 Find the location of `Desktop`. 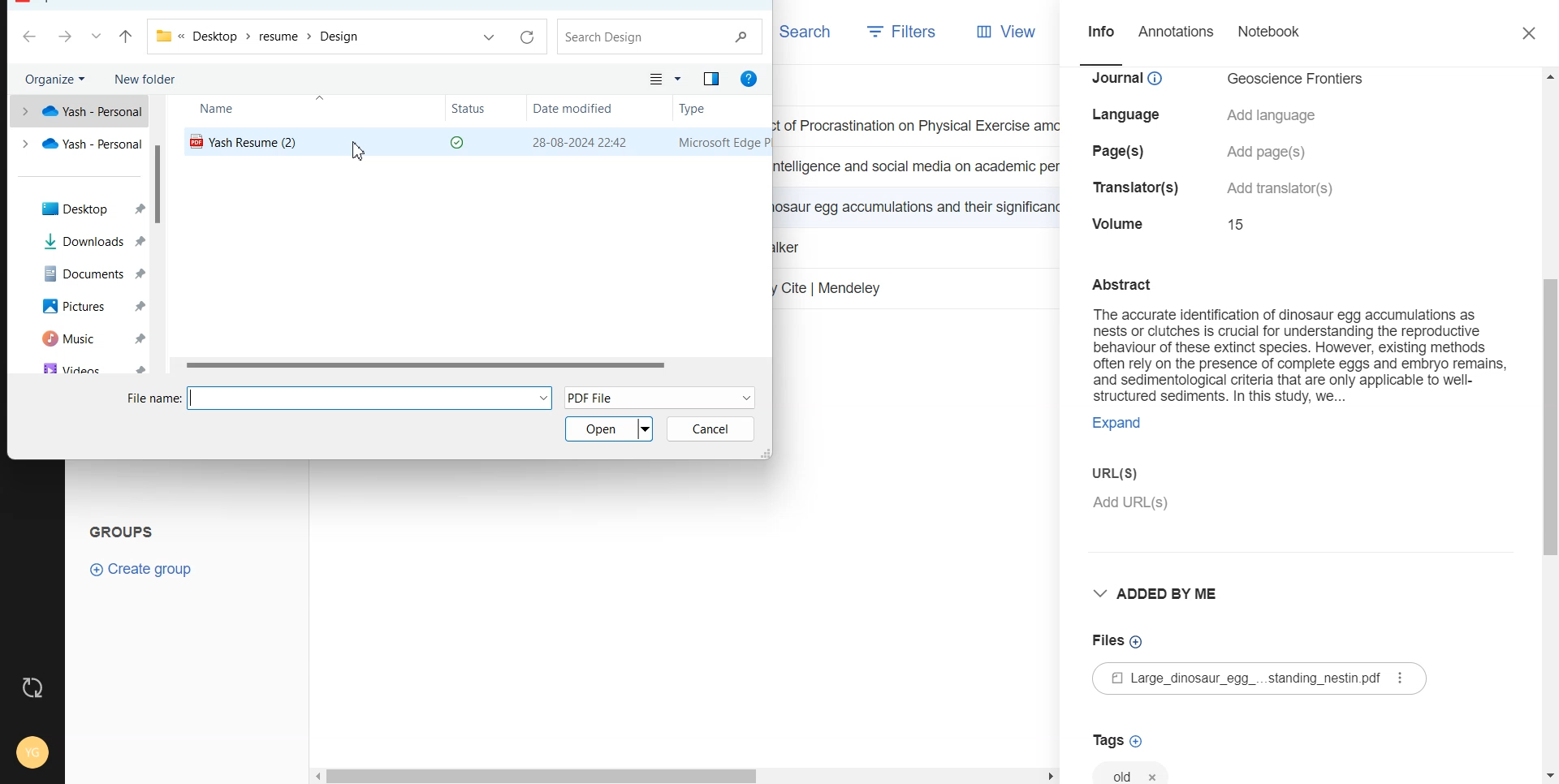

Desktop is located at coordinates (79, 209).